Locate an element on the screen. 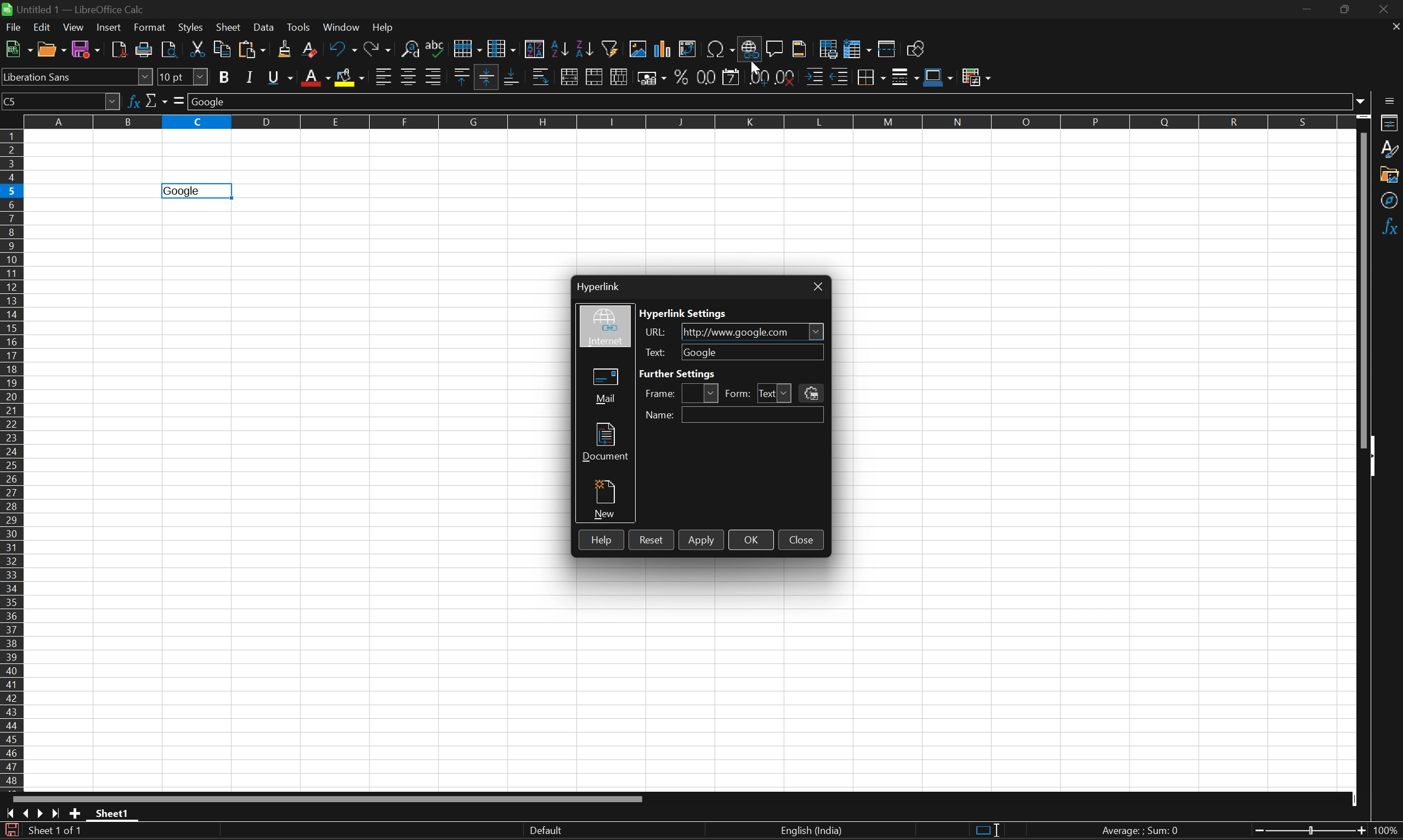 This screenshot has height=840, width=1403. Slider is located at coordinates (1309, 832).